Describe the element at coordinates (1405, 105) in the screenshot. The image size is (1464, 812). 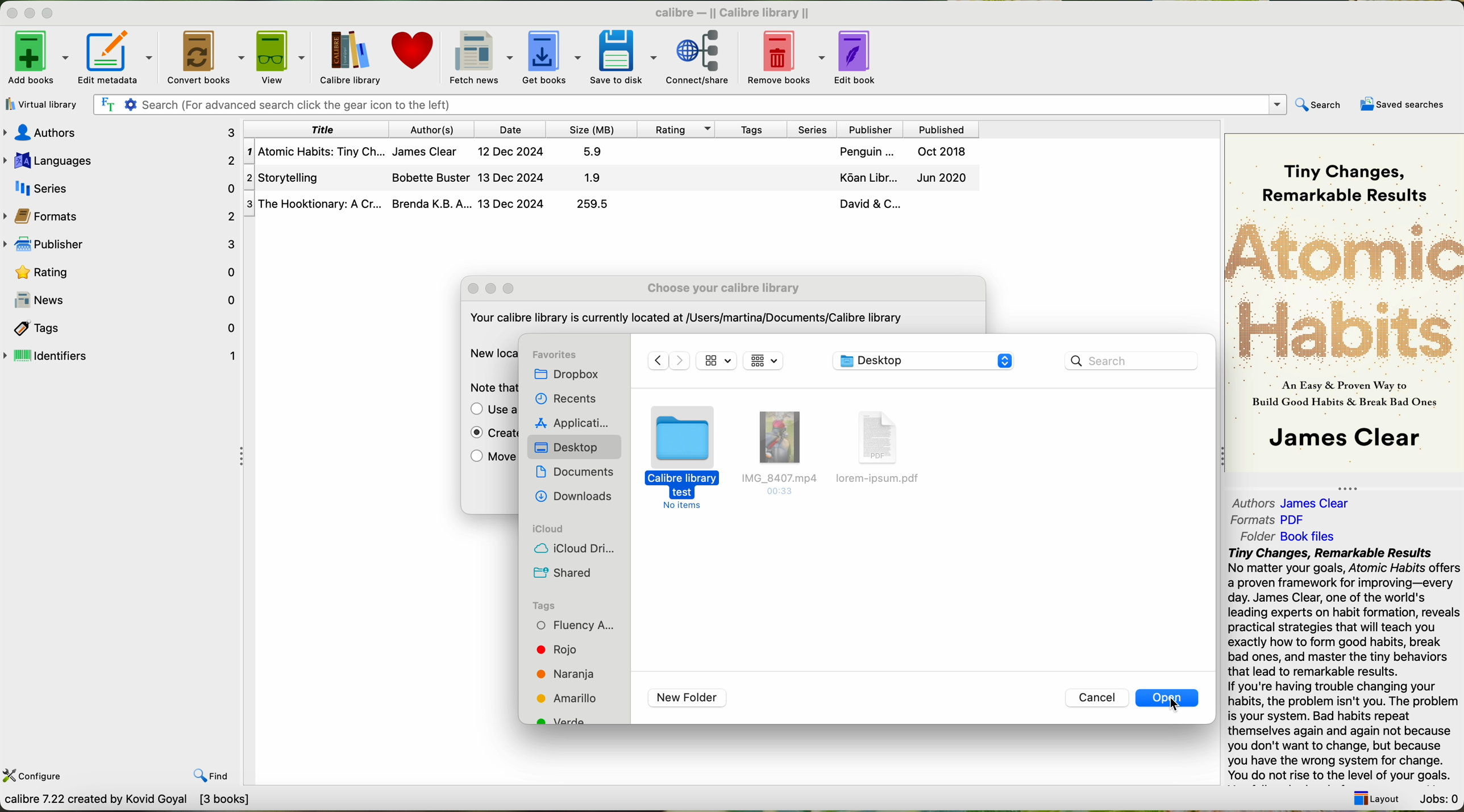
I see `saved searches` at that location.